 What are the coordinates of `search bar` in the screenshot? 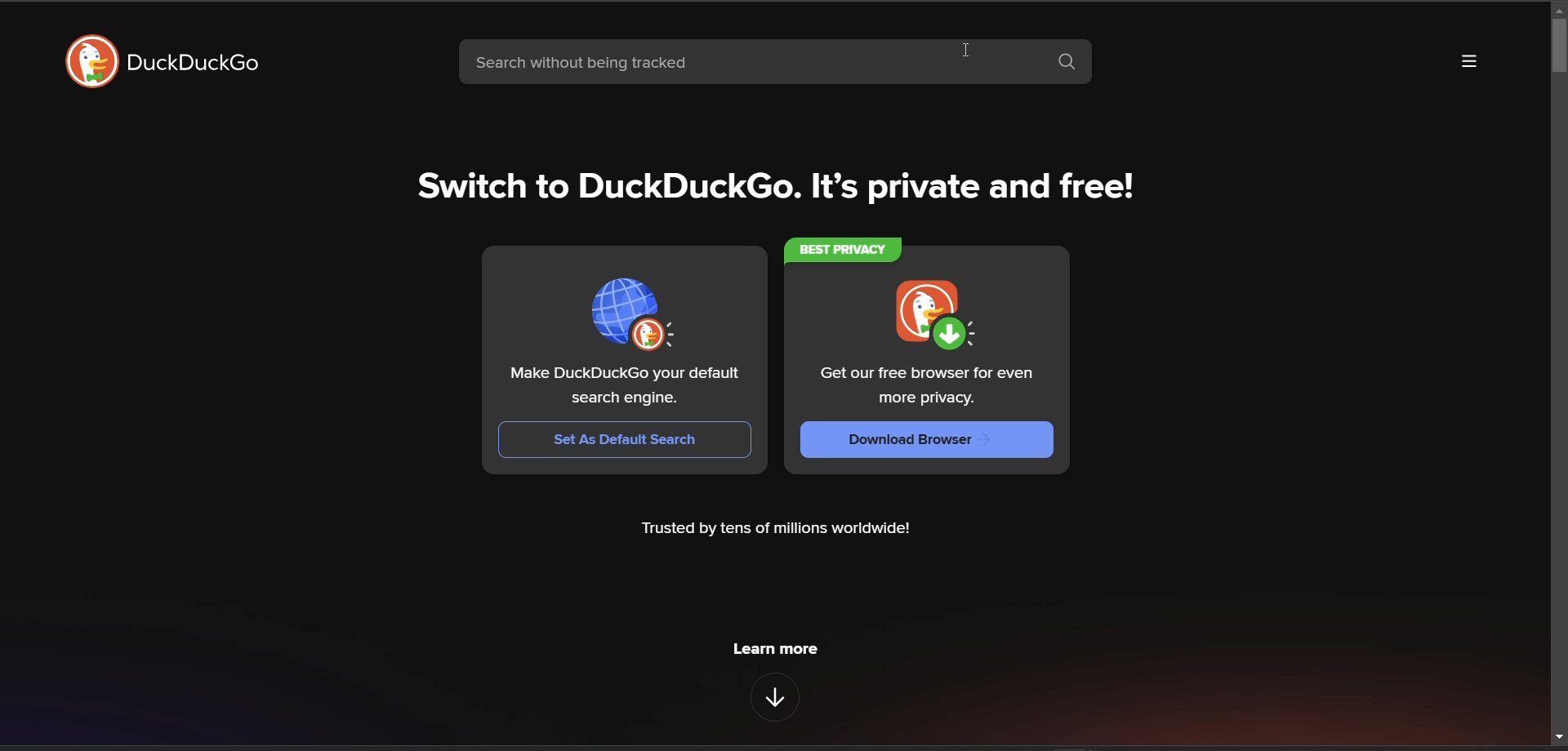 It's located at (751, 61).